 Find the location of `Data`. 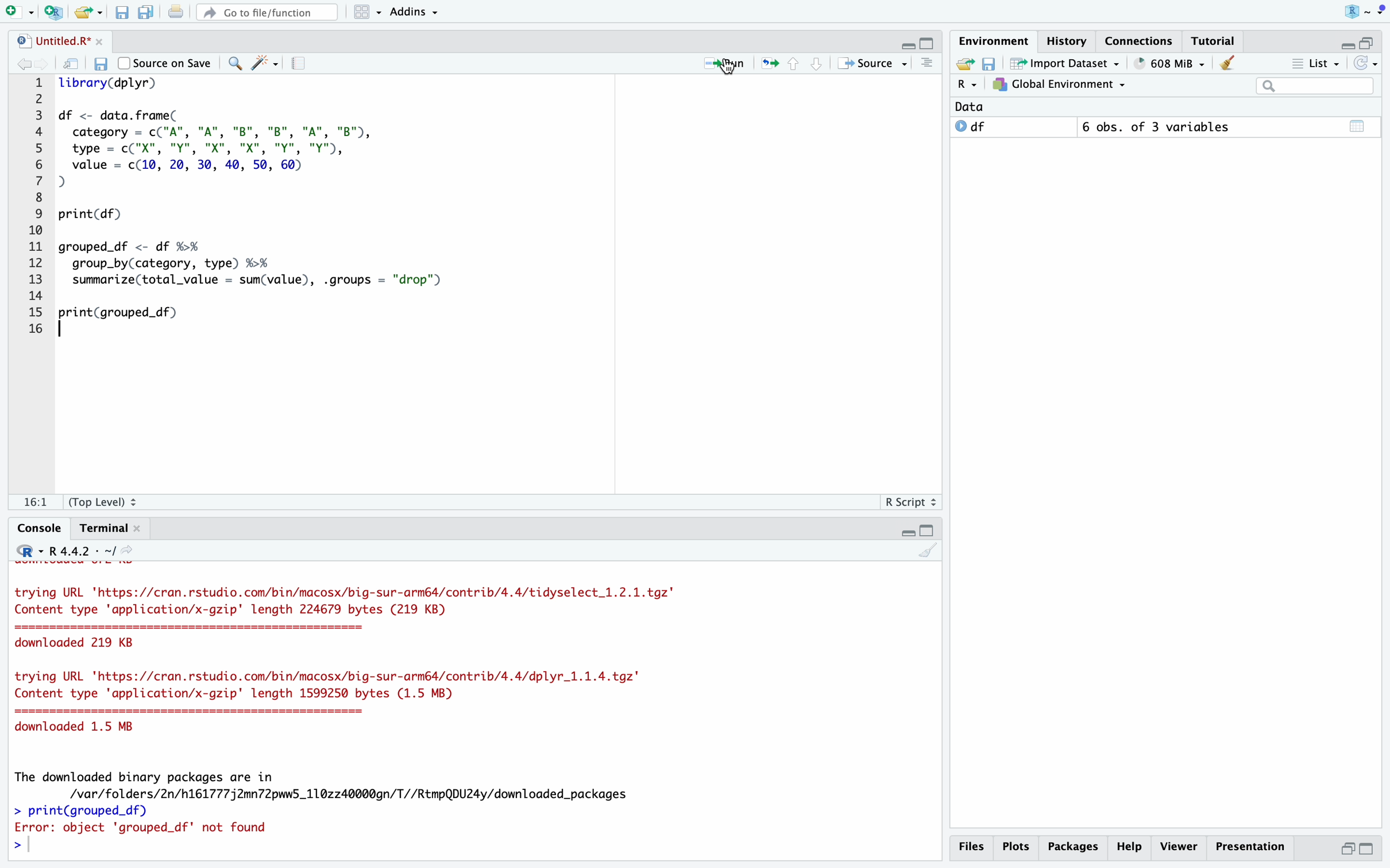

Data is located at coordinates (978, 107).